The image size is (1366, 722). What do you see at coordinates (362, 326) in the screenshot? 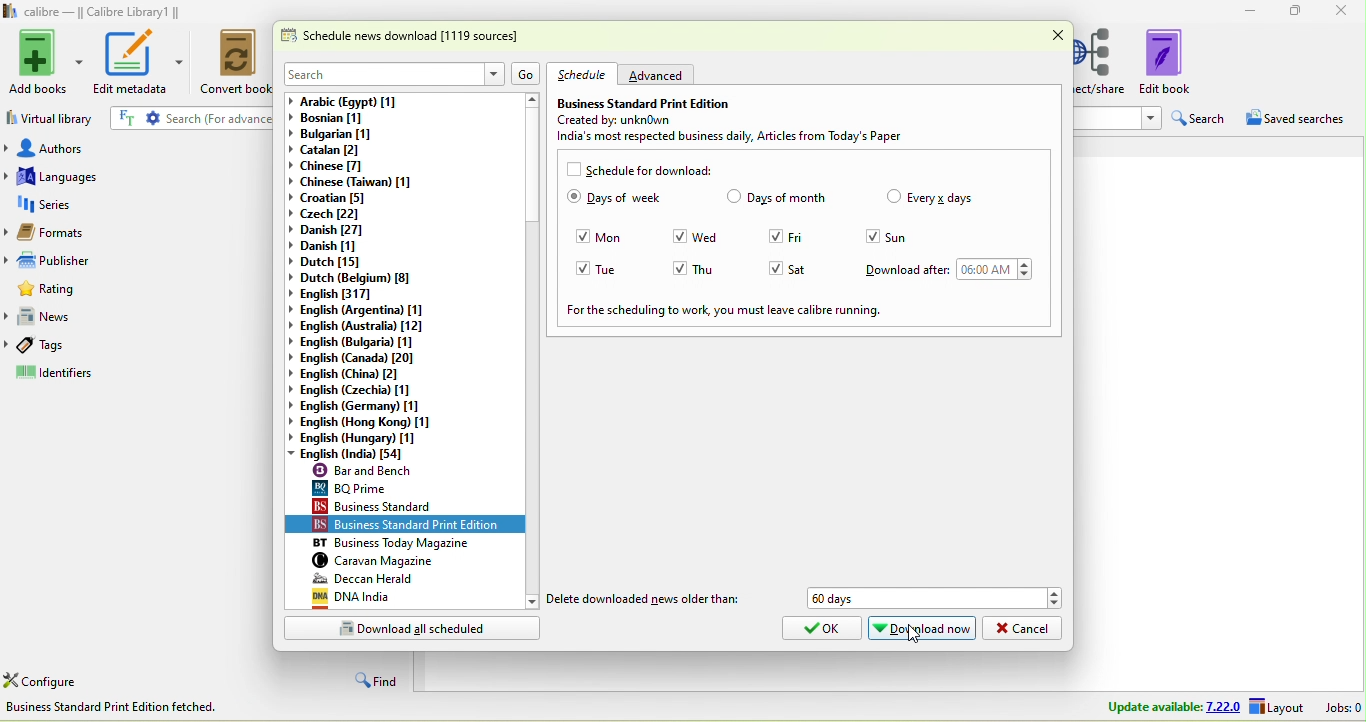
I see `english (australia)[12]` at bounding box center [362, 326].